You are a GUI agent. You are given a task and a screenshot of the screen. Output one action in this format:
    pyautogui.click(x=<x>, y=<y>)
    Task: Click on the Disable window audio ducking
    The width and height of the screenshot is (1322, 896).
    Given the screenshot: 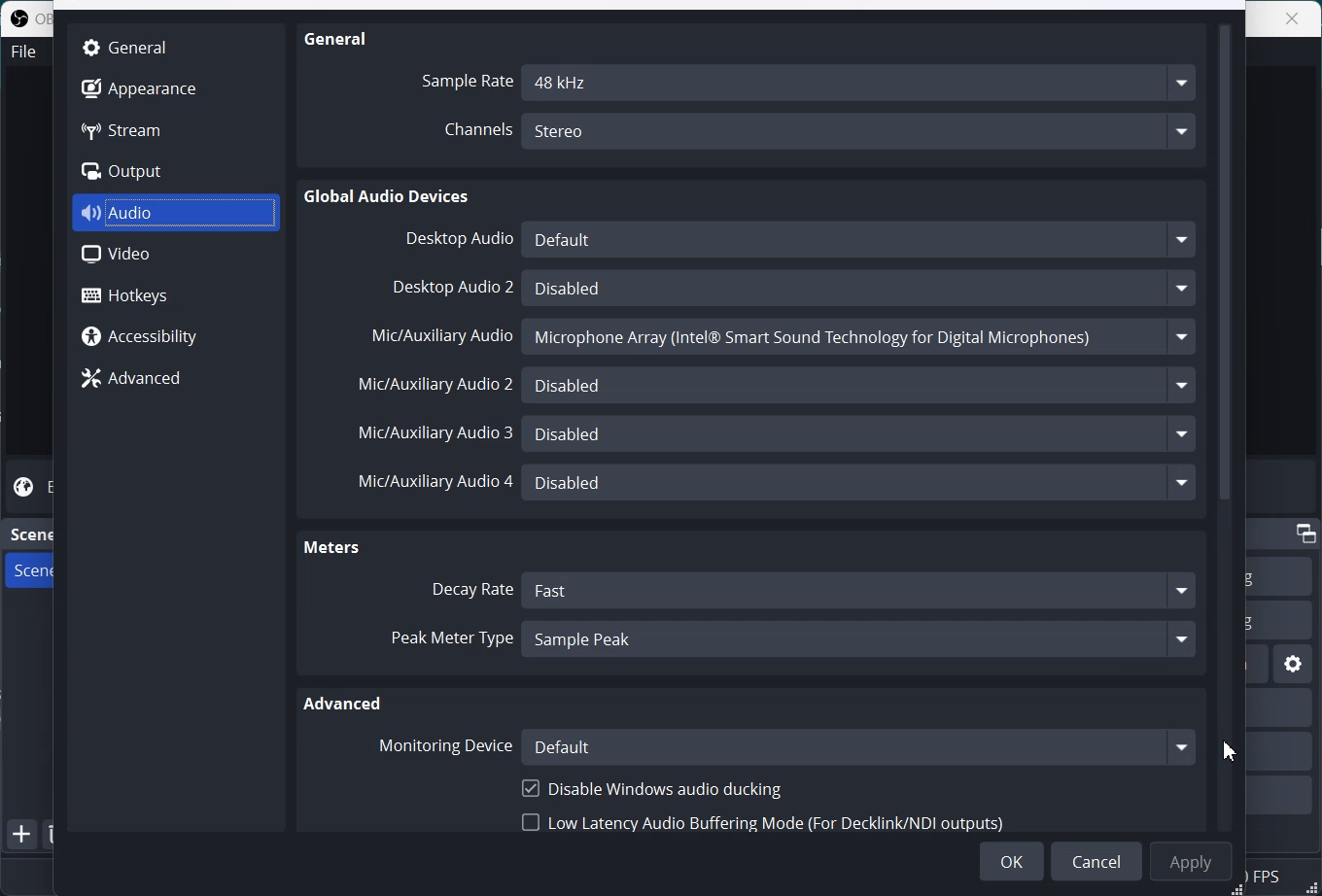 What is the action you would take?
    pyautogui.click(x=650, y=787)
    